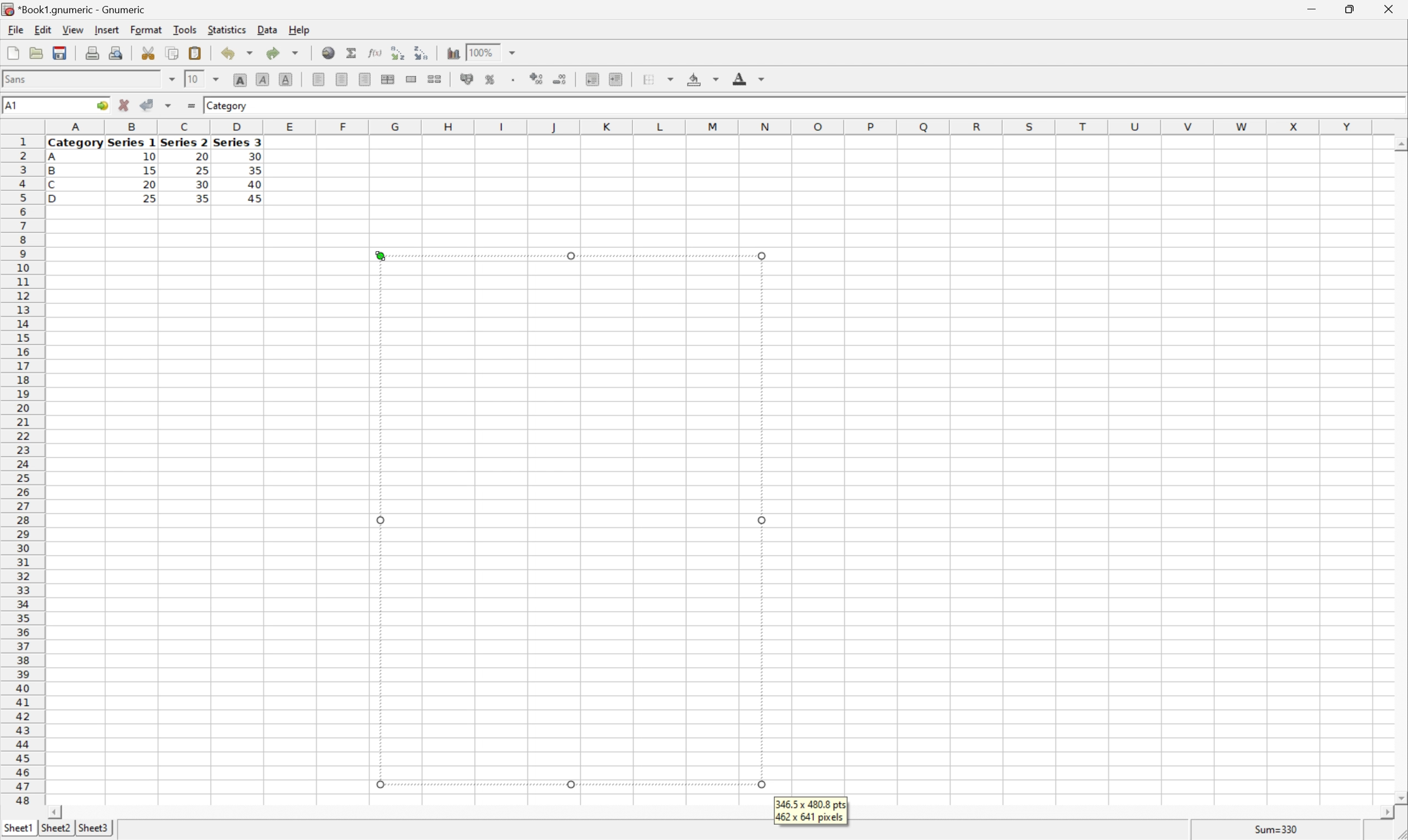 This screenshot has height=840, width=1408. I want to click on 40, so click(255, 182).